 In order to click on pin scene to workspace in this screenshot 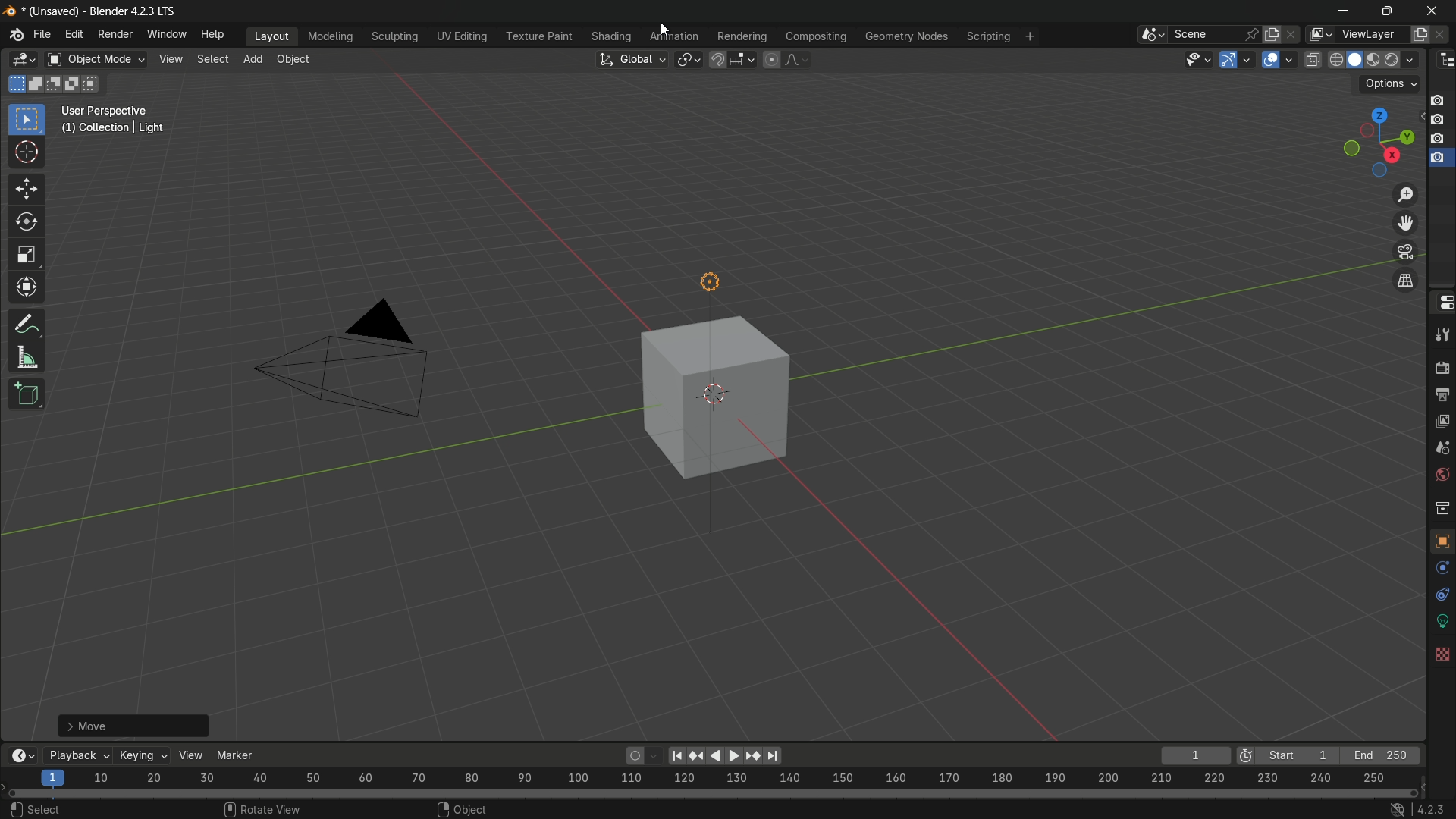, I will do `click(1253, 34)`.